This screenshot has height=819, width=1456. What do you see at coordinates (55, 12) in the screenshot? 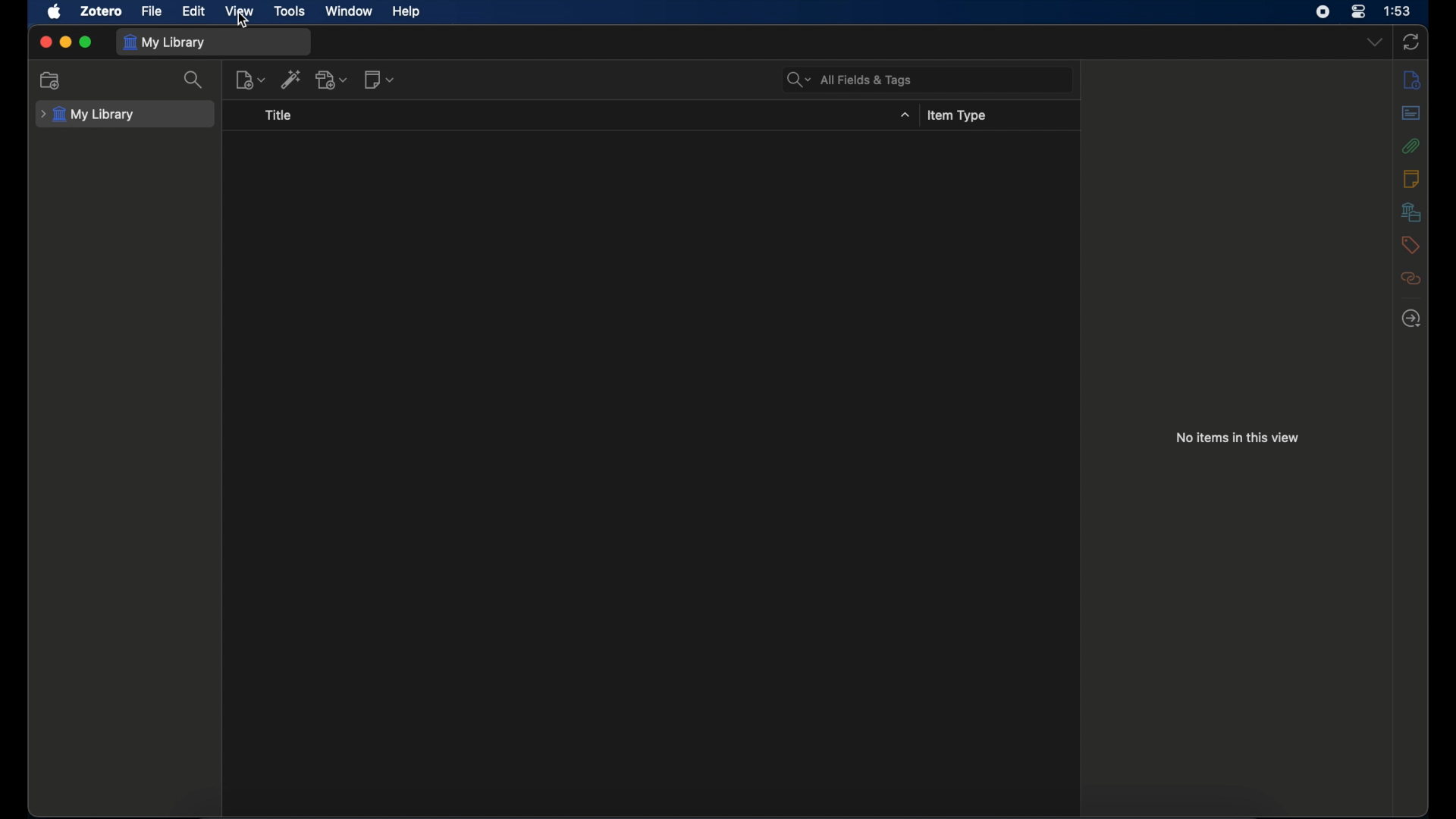
I see `apple icon` at bounding box center [55, 12].